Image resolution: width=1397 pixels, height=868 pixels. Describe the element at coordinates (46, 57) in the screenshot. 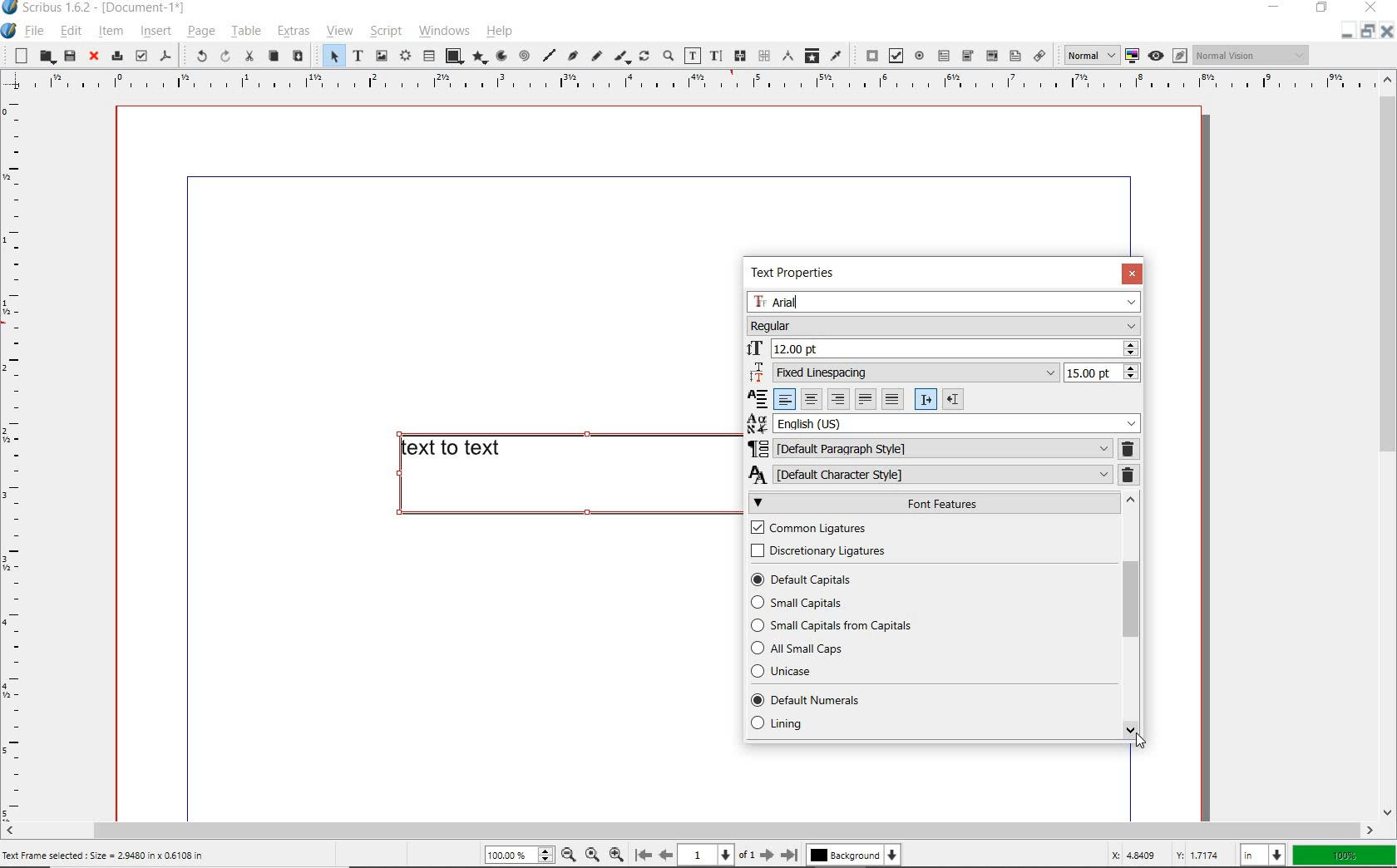

I see `open` at that location.